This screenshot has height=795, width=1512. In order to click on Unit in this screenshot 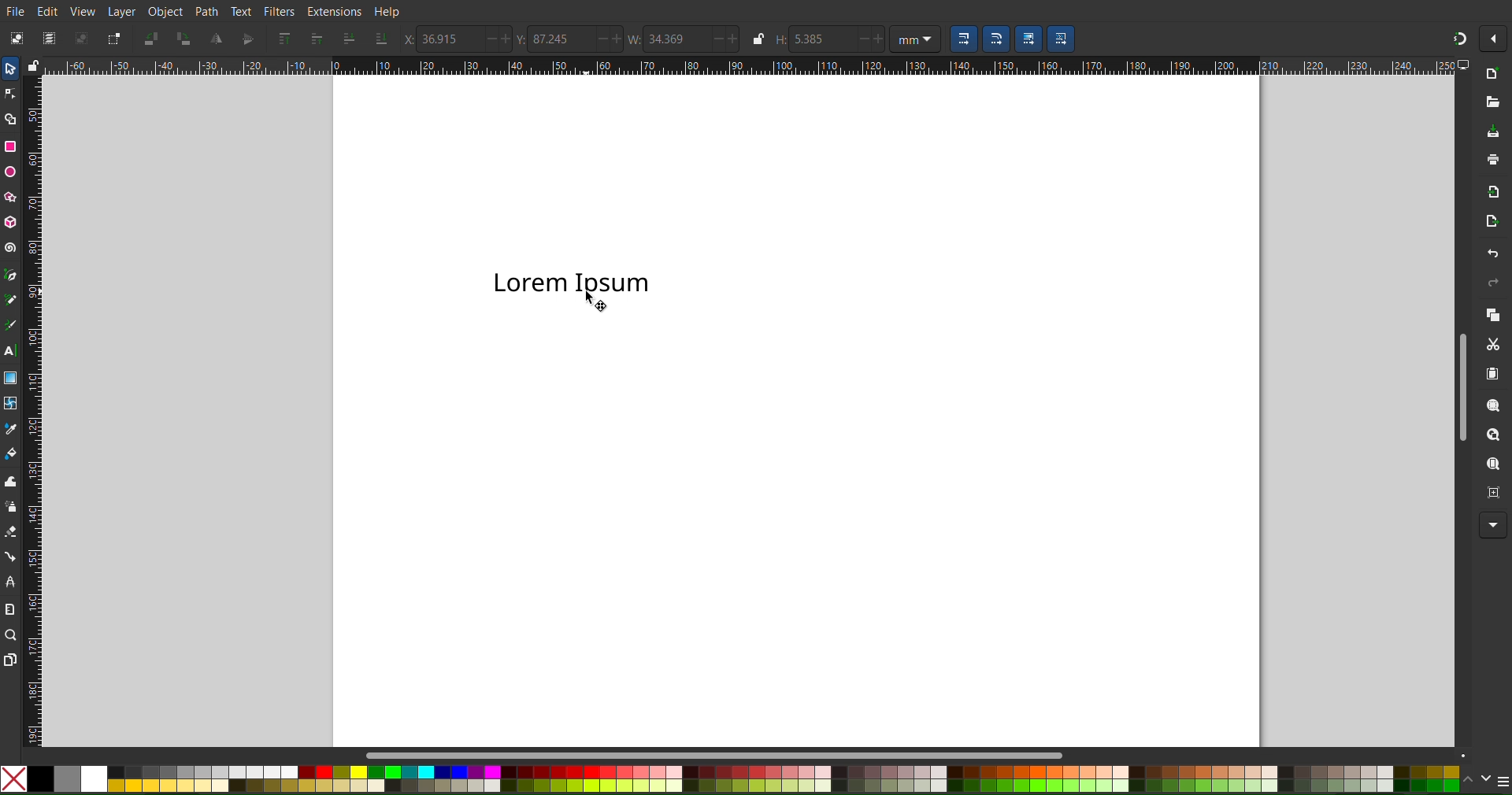, I will do `click(915, 39)`.